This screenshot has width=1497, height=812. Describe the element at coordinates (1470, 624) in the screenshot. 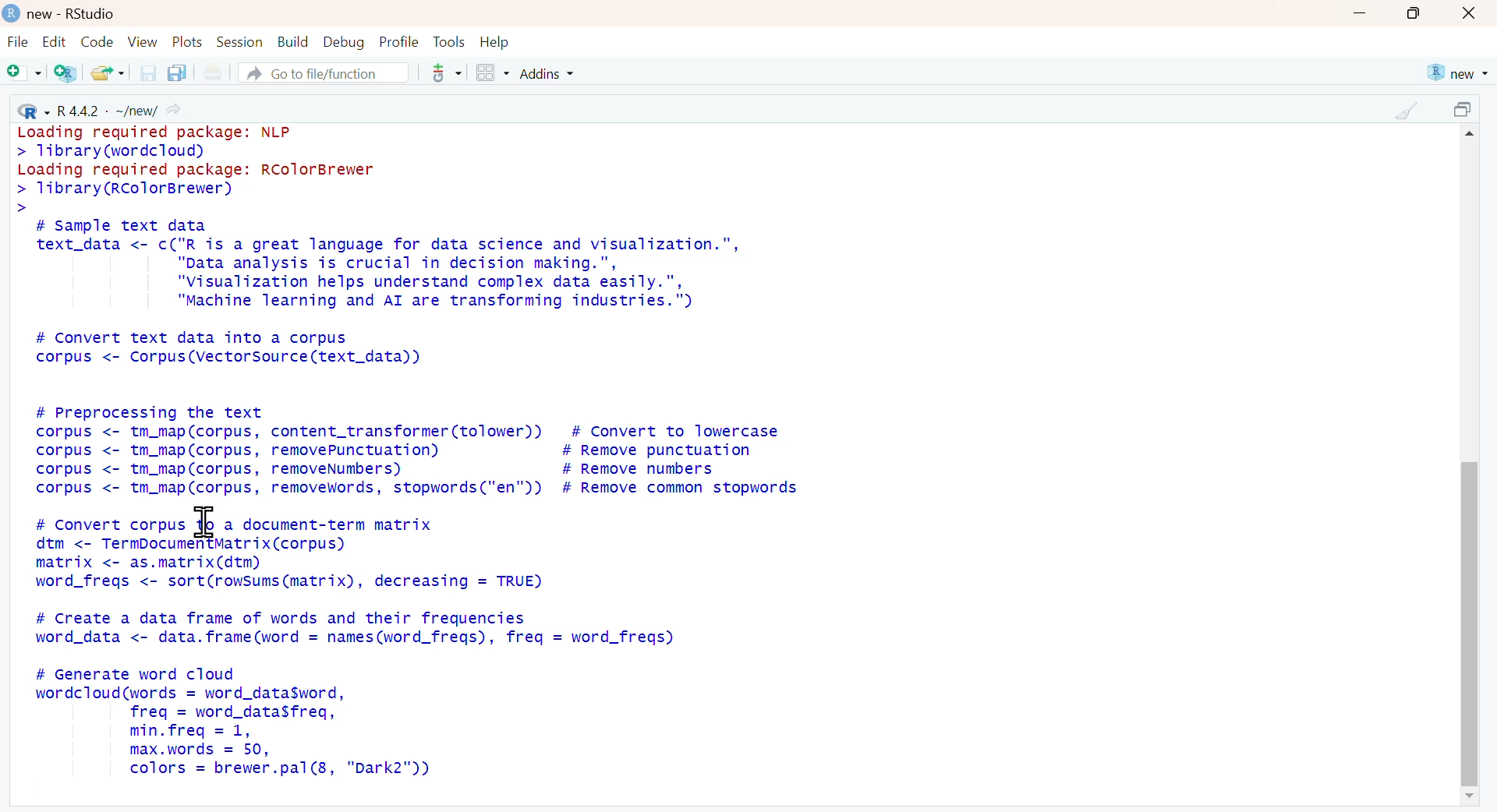

I see `scroll bar` at that location.